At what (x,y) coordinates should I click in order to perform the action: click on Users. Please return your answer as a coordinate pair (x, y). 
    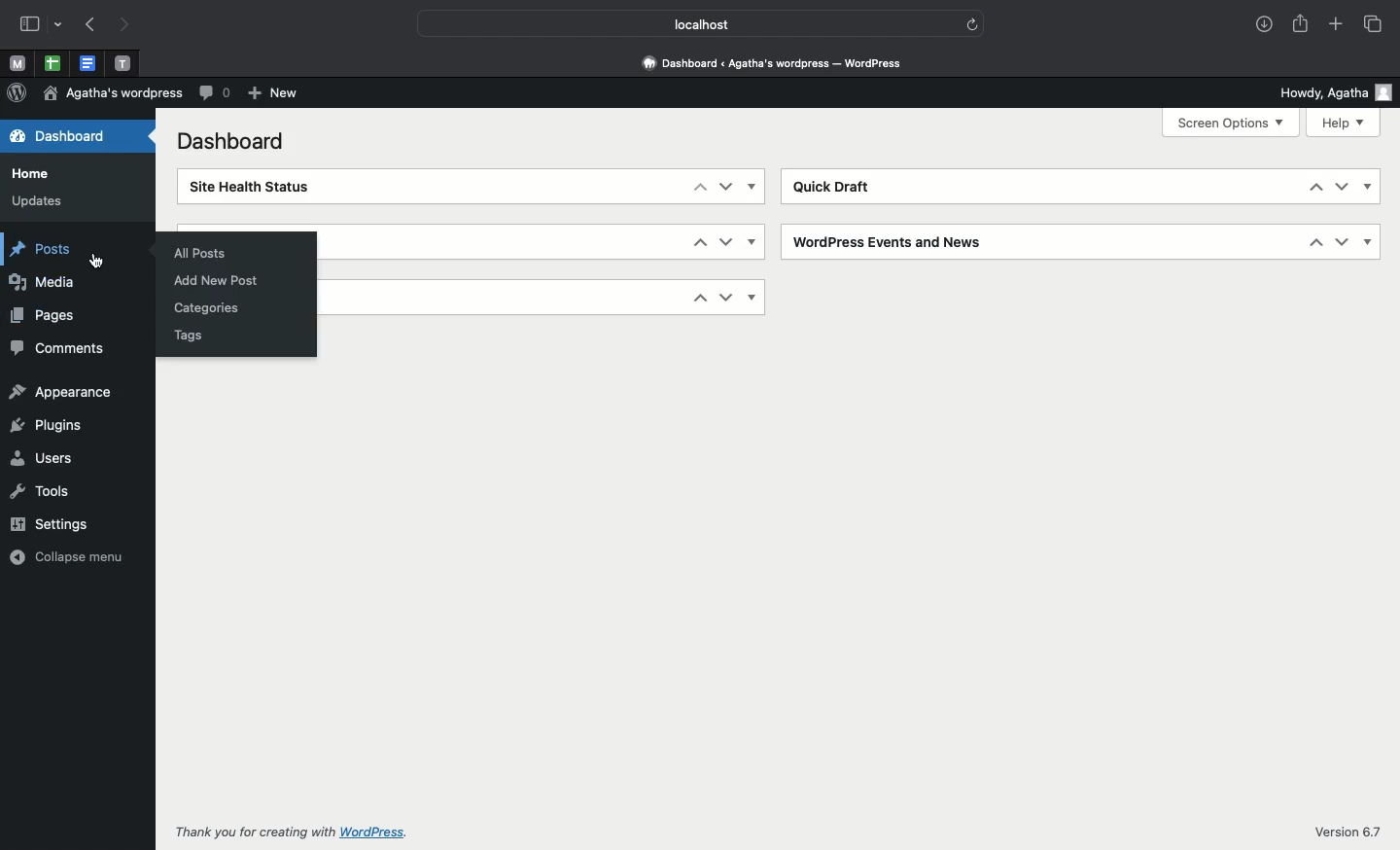
    Looking at the image, I should click on (52, 458).